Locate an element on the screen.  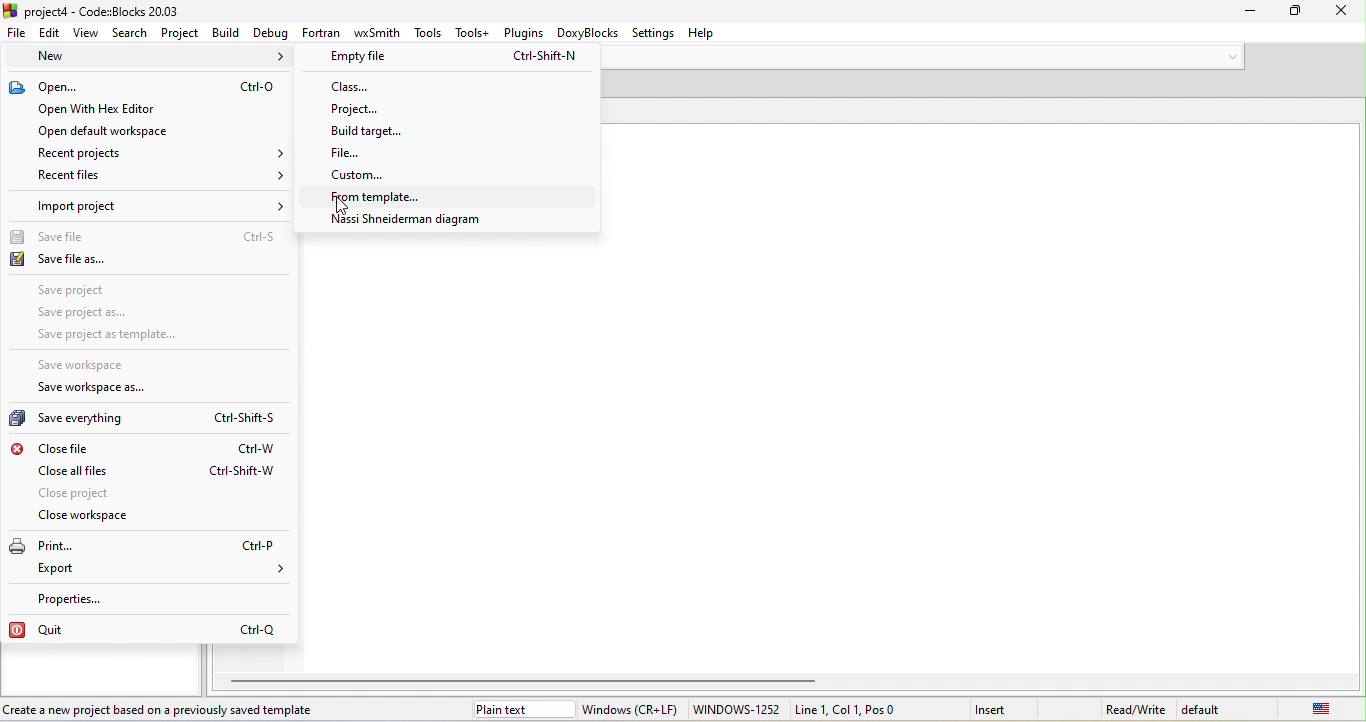
empty file is located at coordinates (450, 57).